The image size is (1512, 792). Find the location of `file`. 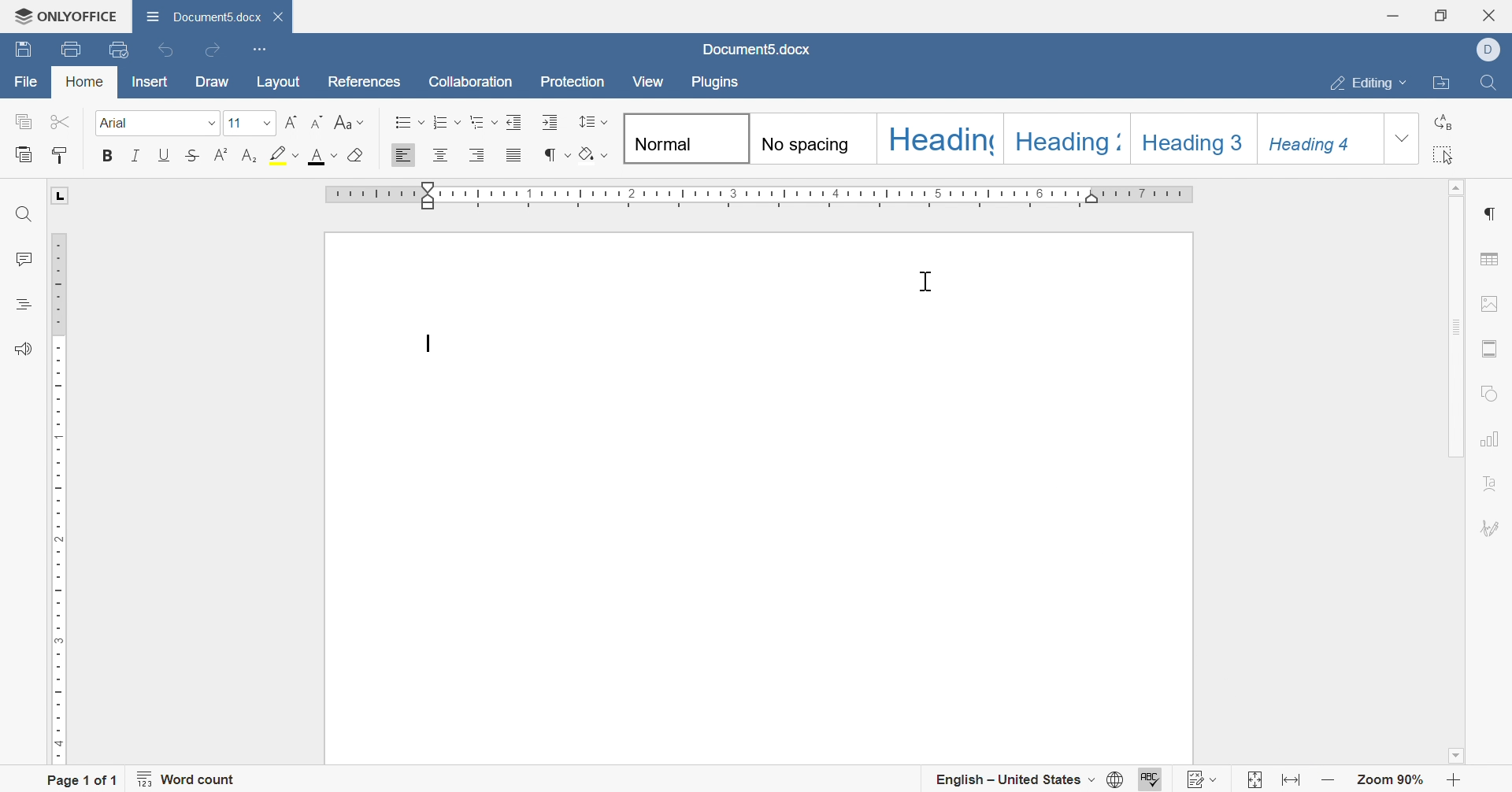

file is located at coordinates (24, 81).